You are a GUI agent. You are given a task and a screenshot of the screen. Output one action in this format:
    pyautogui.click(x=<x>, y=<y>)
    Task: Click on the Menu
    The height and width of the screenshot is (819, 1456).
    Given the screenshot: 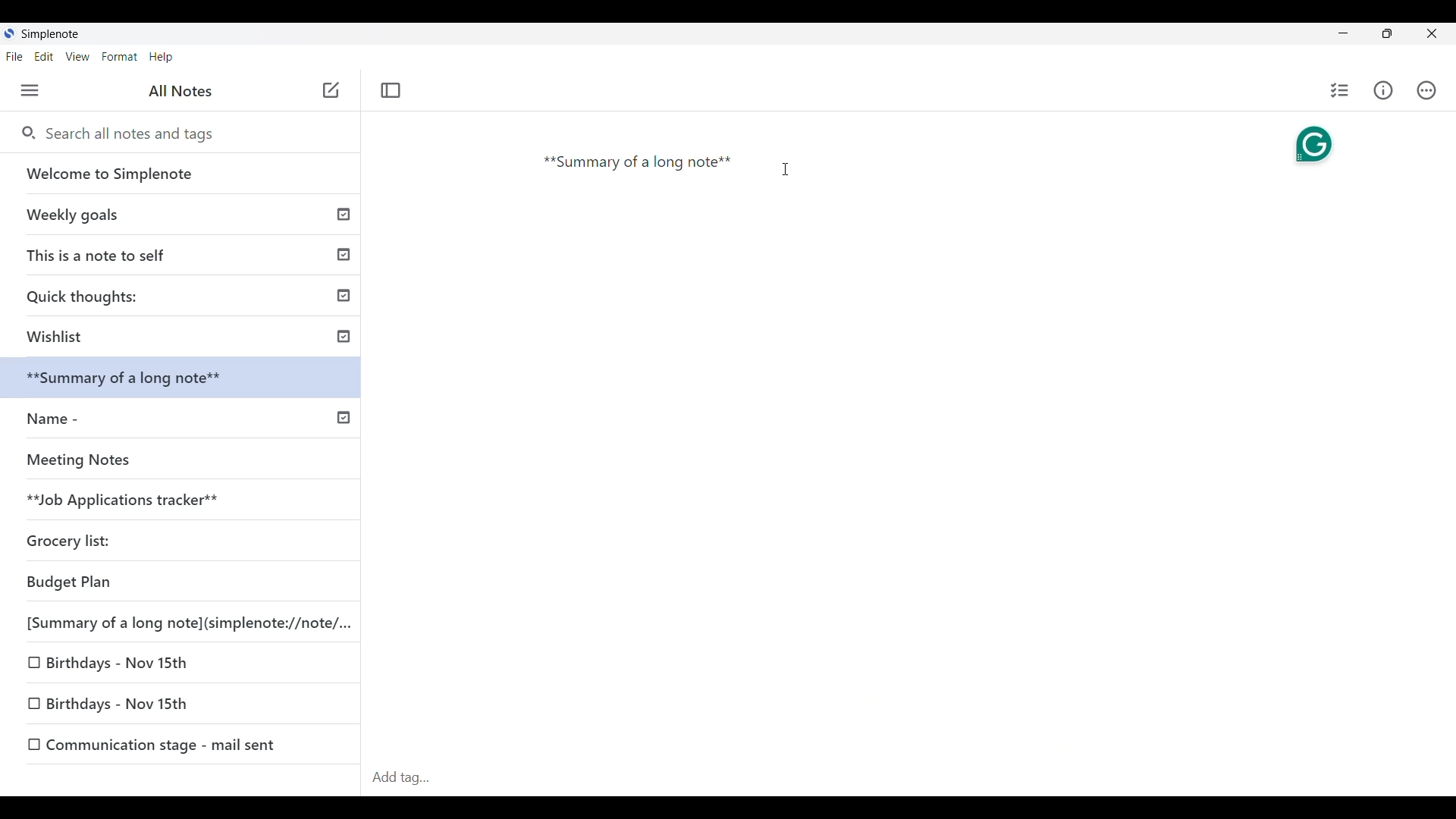 What is the action you would take?
    pyautogui.click(x=30, y=90)
    